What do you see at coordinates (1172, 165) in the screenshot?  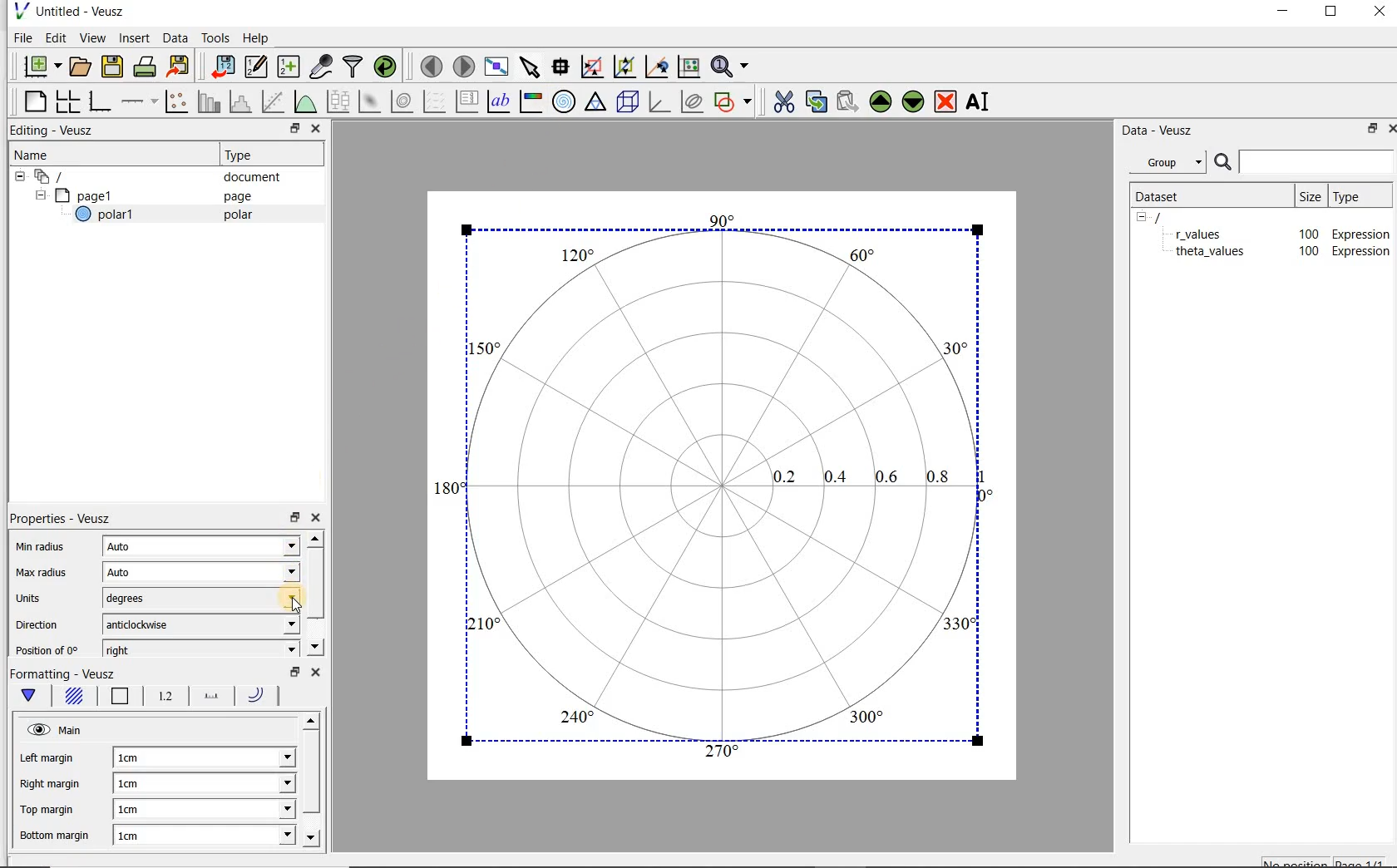 I see `Group` at bounding box center [1172, 165].